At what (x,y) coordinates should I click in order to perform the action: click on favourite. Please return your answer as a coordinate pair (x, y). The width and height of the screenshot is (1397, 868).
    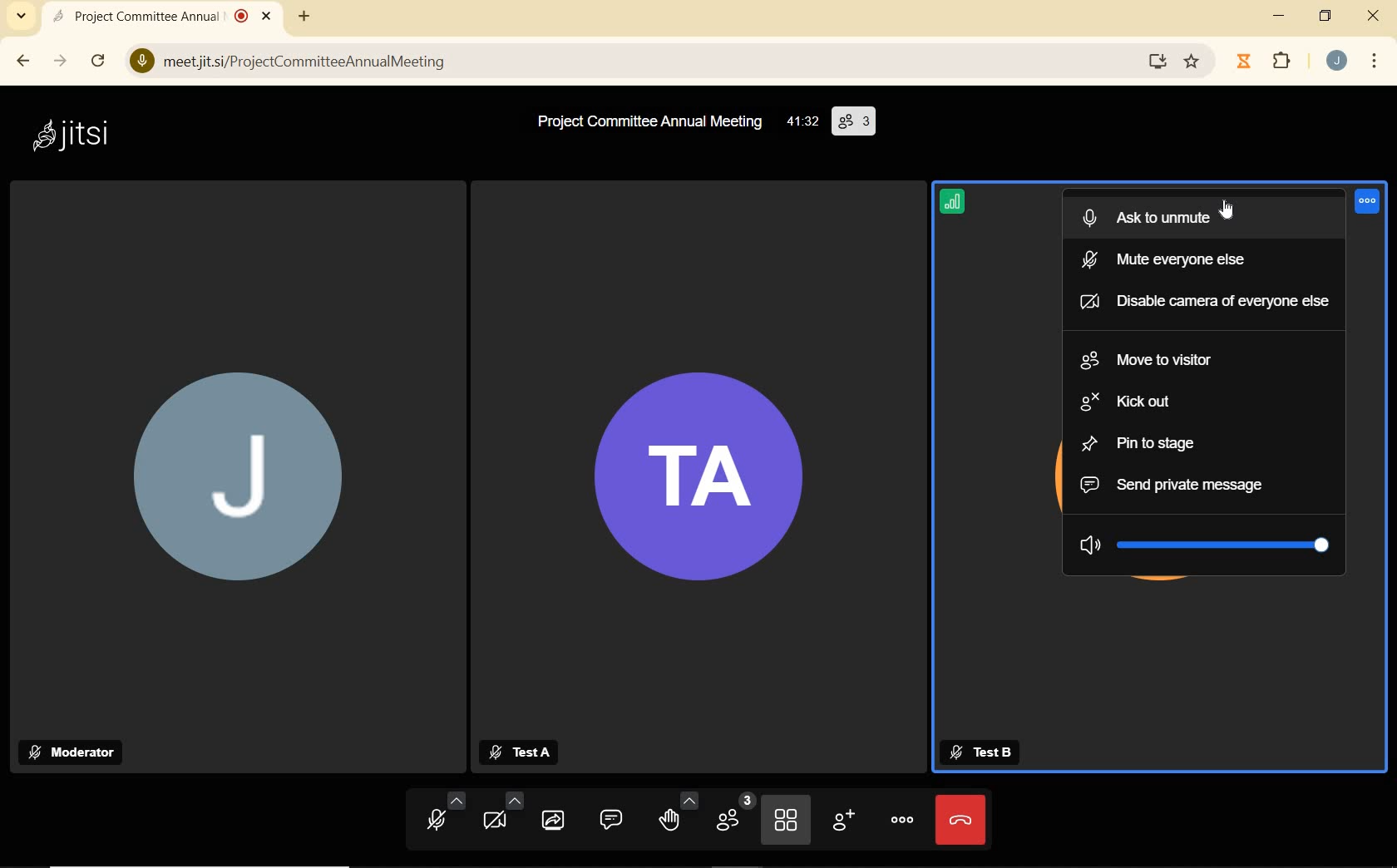
    Looking at the image, I should click on (1193, 64).